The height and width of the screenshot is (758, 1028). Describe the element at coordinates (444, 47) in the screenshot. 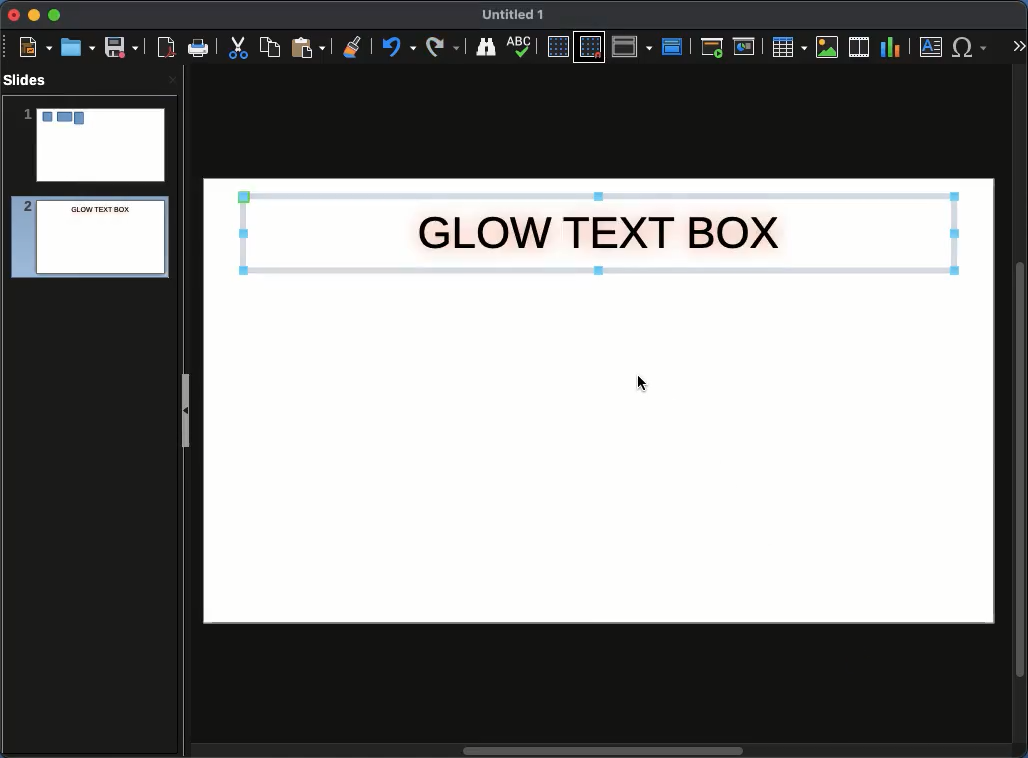

I see `Redo` at that location.